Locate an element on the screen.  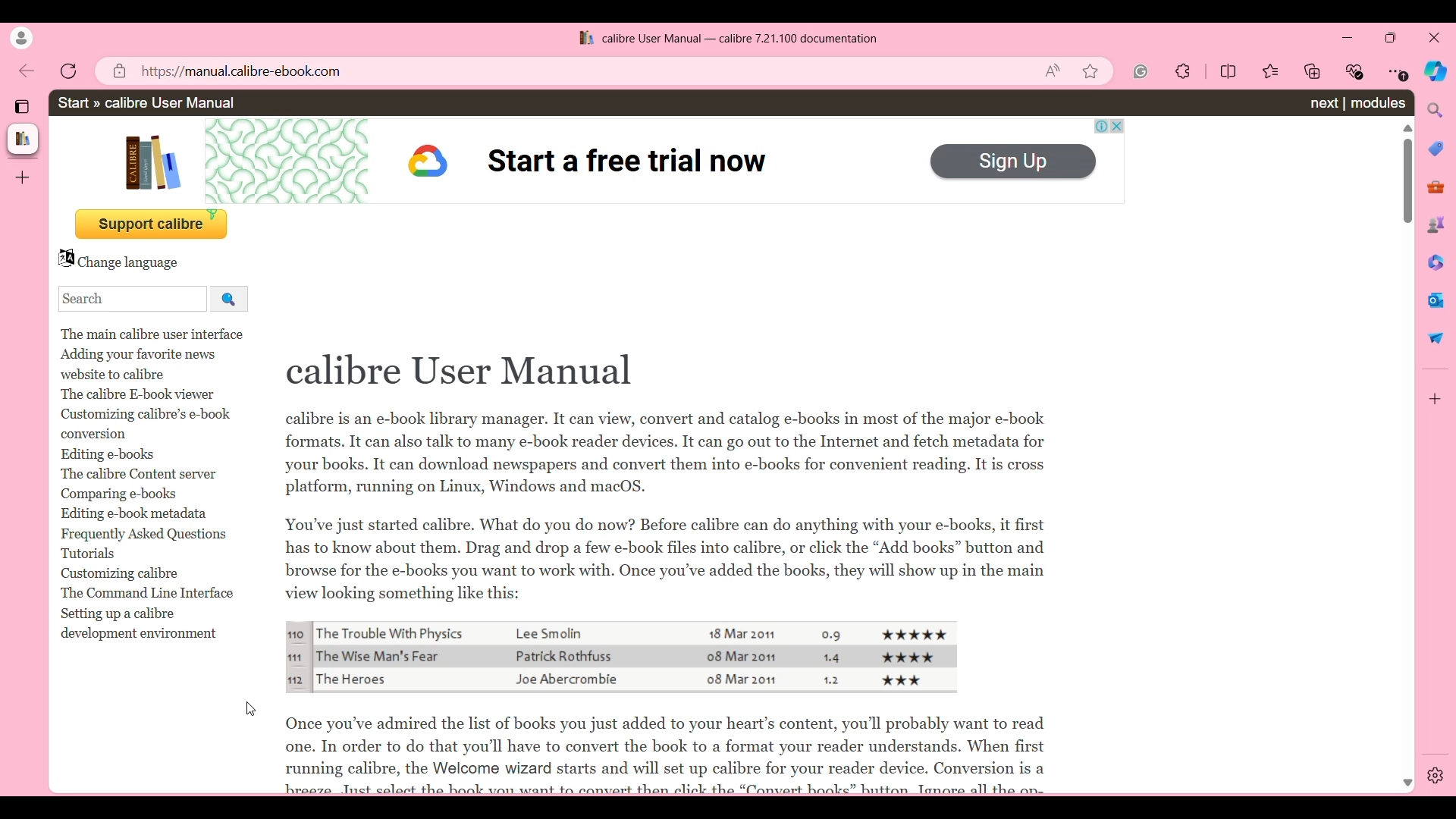
Quick slide to bottom is located at coordinates (1407, 783).